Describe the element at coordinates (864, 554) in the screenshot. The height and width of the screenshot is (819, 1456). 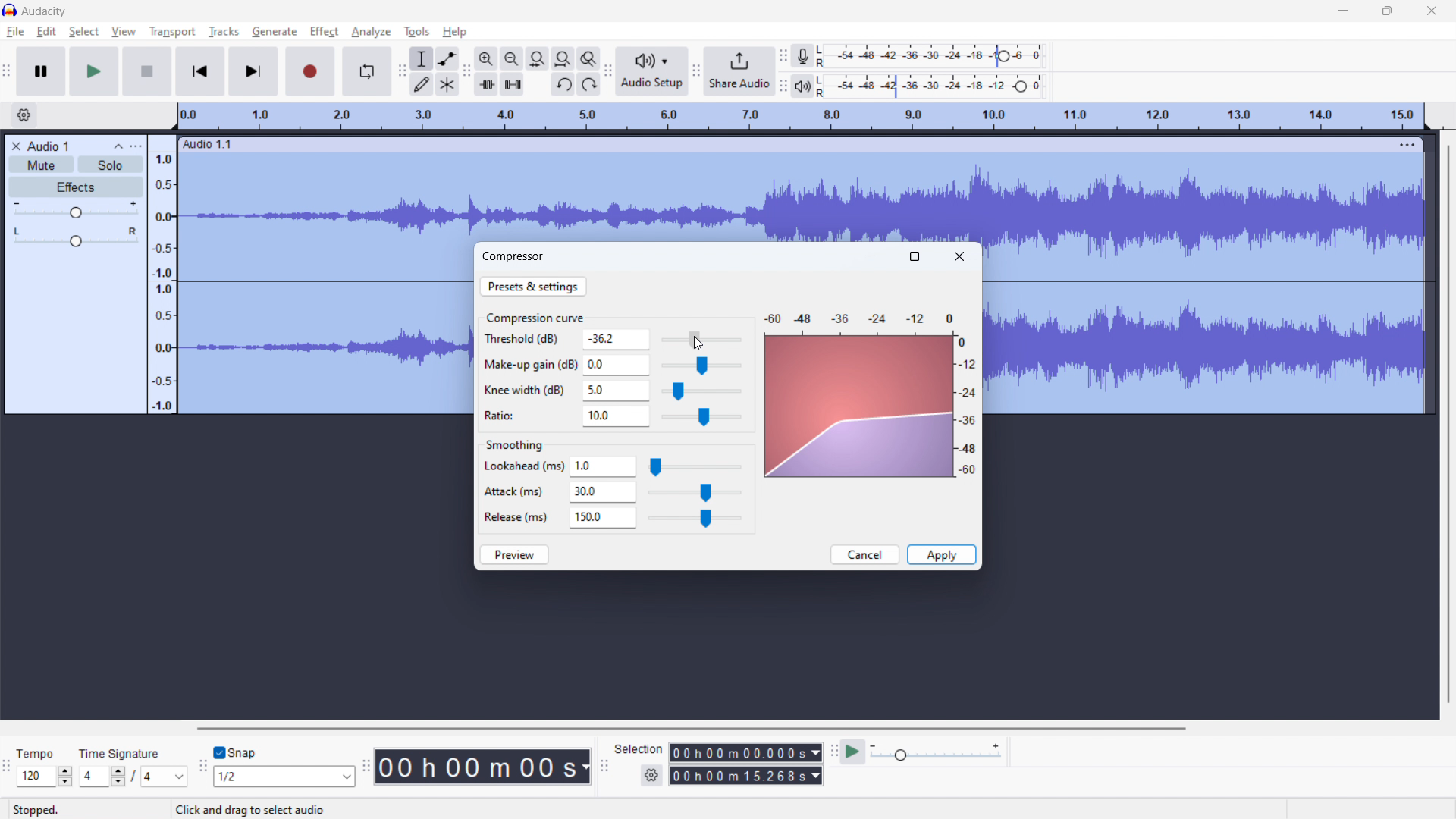
I see `cancel` at that location.